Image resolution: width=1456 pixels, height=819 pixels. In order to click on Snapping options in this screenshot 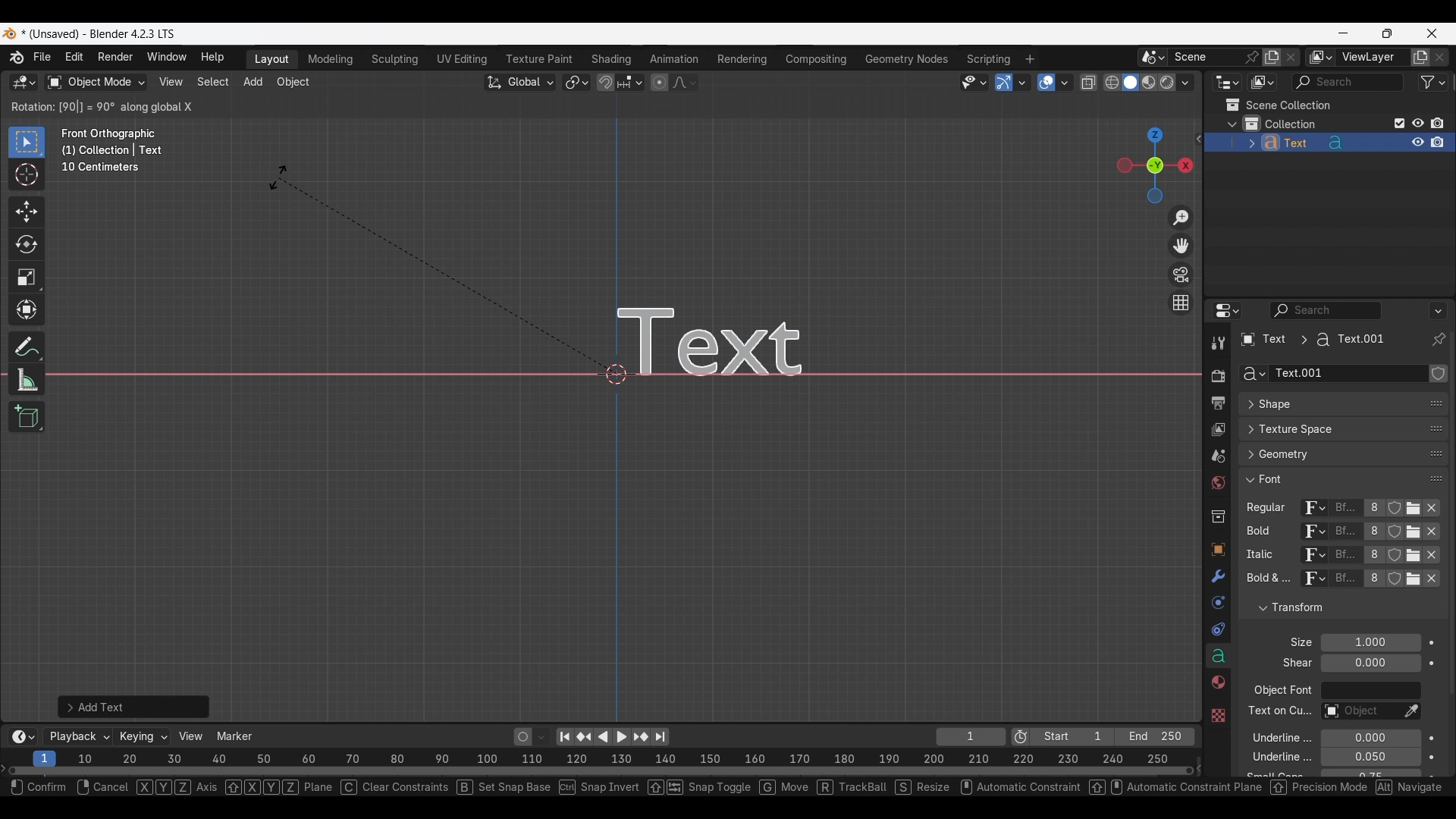, I will do `click(632, 82)`.